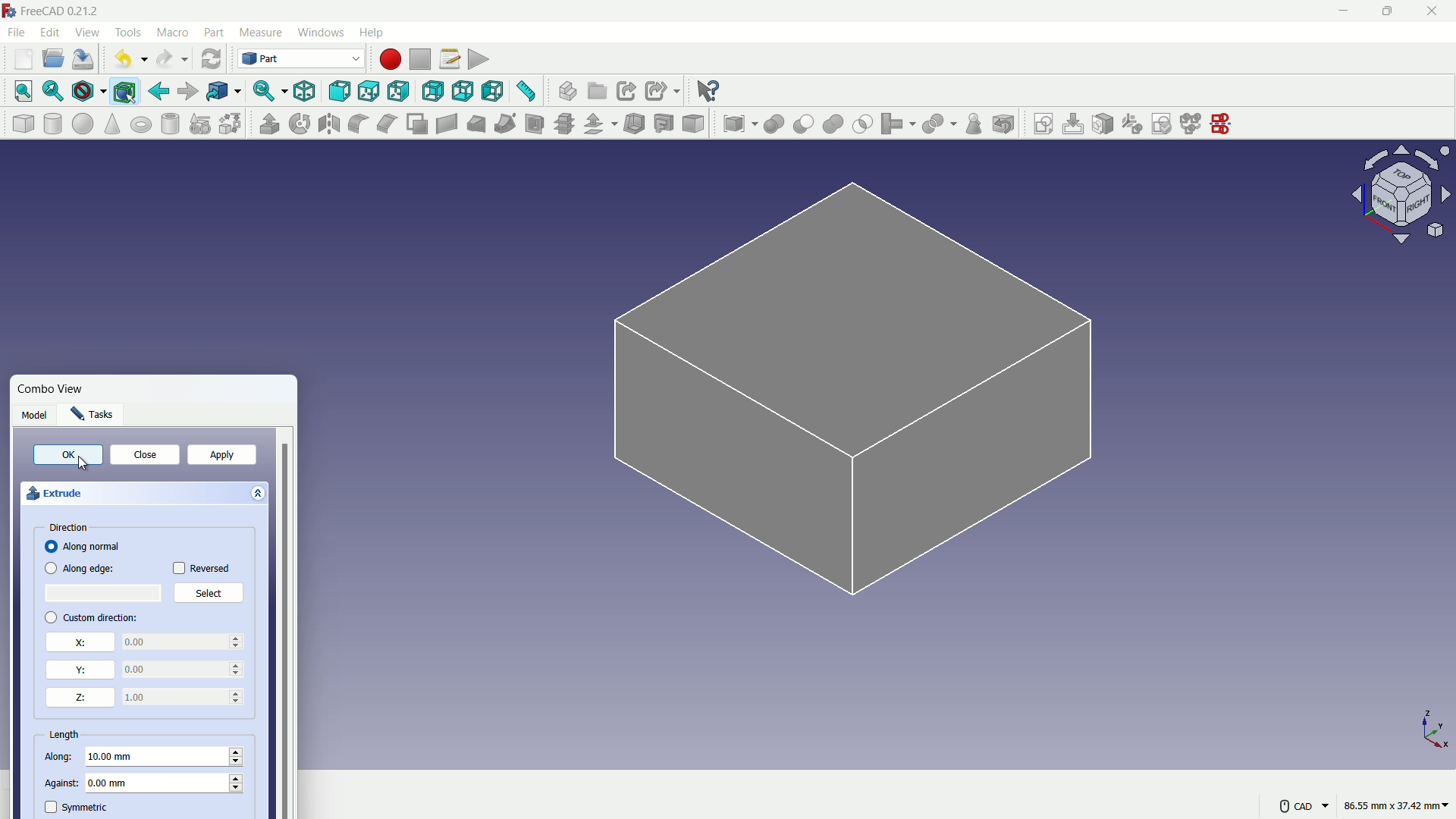  What do you see at coordinates (1191, 123) in the screenshot?
I see `merge sketch` at bounding box center [1191, 123].